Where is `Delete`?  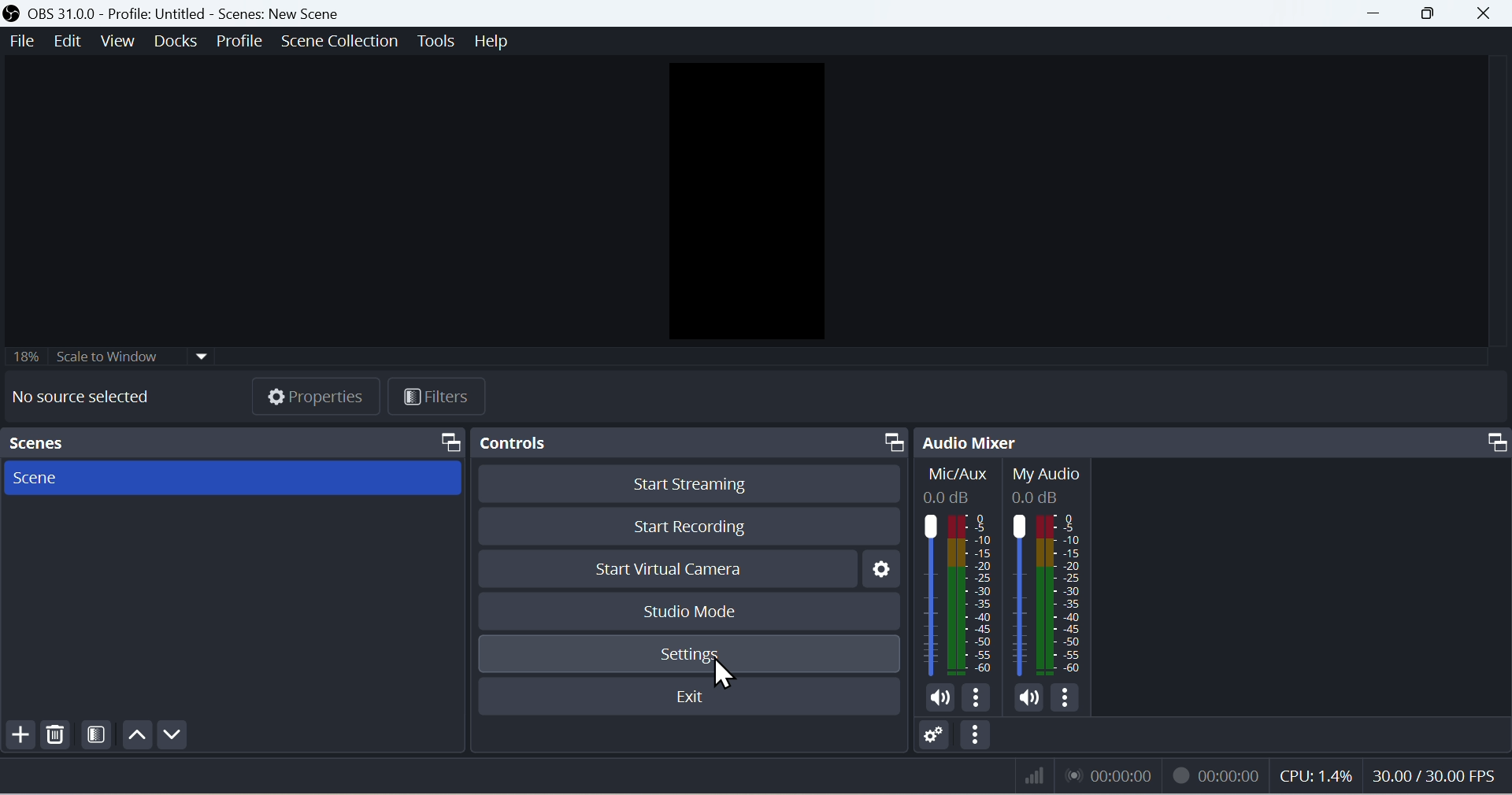 Delete is located at coordinates (56, 738).